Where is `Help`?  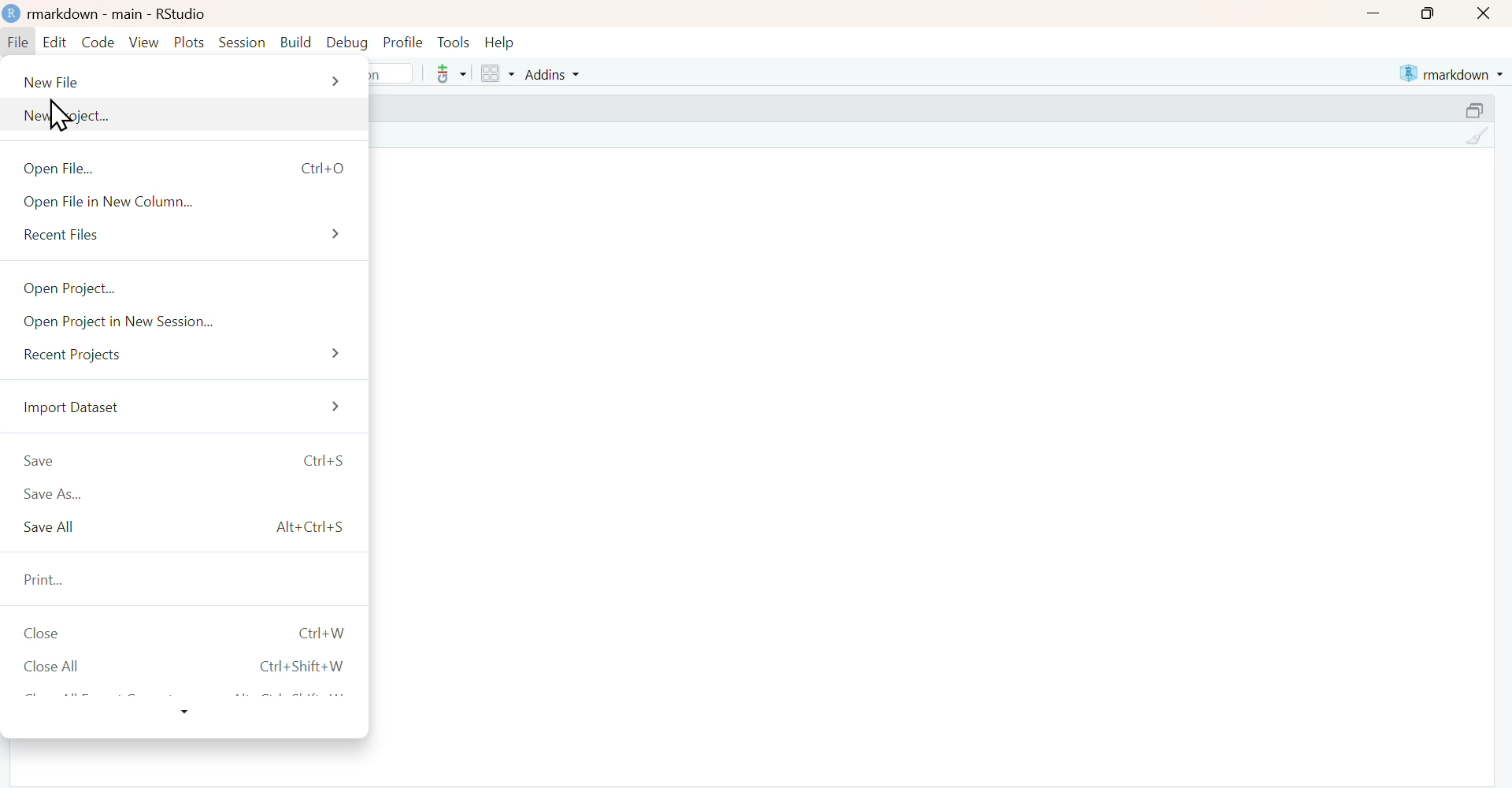 Help is located at coordinates (500, 43).